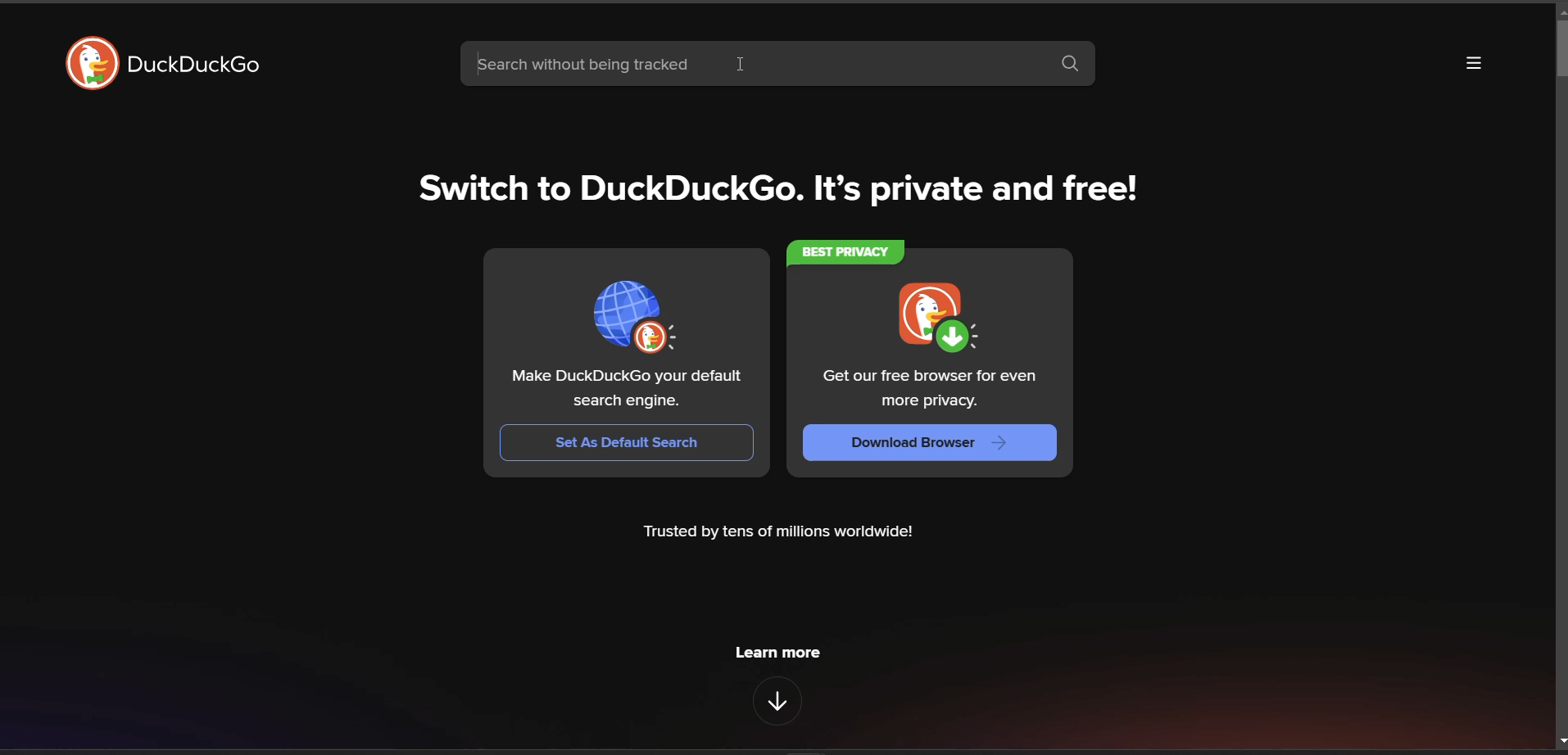 Image resolution: width=1568 pixels, height=755 pixels. What do you see at coordinates (746, 62) in the screenshot?
I see `cursor` at bounding box center [746, 62].